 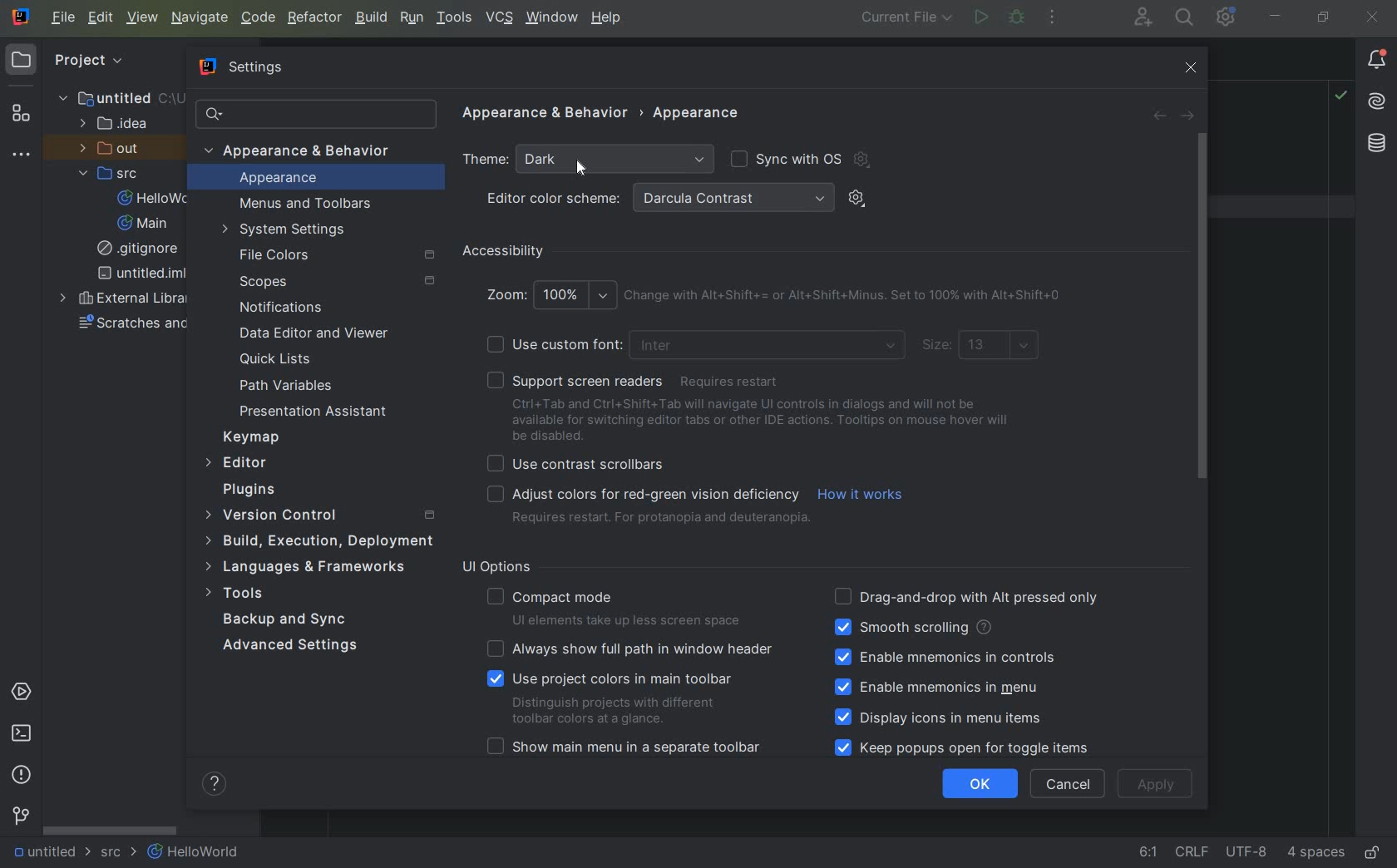 I want to click on BACKUP AND SYNC, so click(x=287, y=620).